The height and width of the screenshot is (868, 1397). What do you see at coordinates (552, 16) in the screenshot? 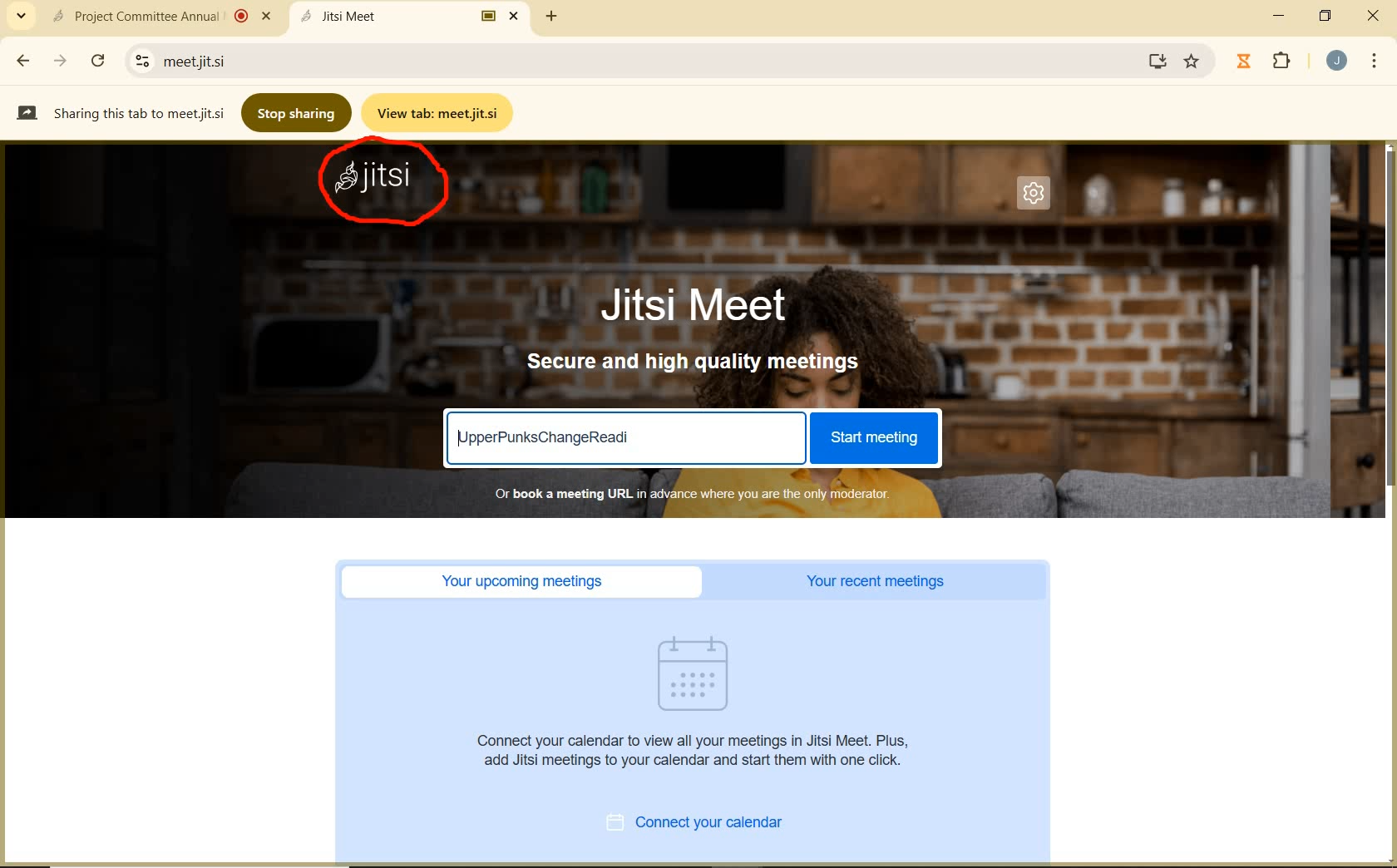
I see `ADD NEW TAB` at bounding box center [552, 16].